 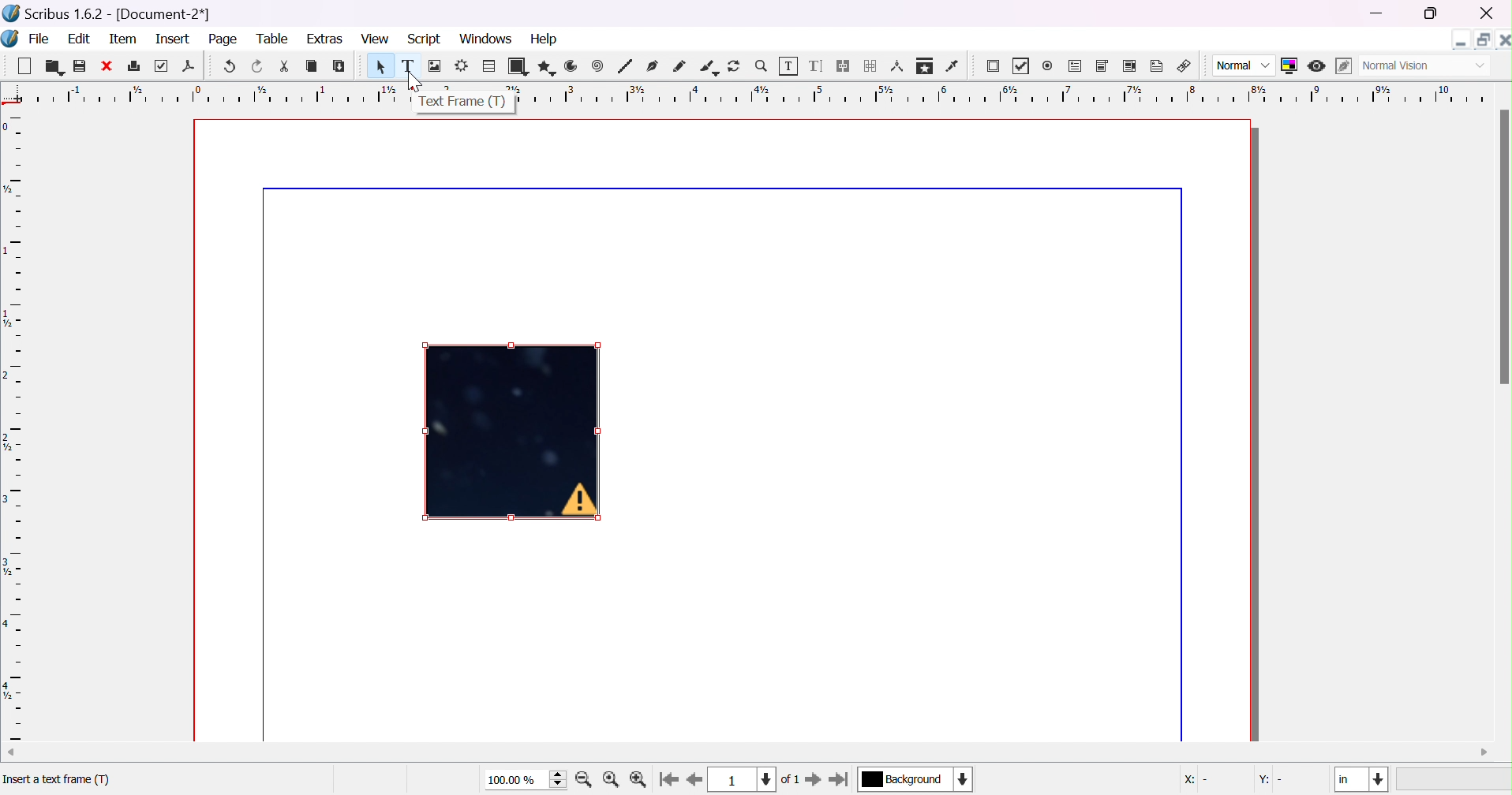 What do you see at coordinates (1432, 15) in the screenshot?
I see `restore down` at bounding box center [1432, 15].